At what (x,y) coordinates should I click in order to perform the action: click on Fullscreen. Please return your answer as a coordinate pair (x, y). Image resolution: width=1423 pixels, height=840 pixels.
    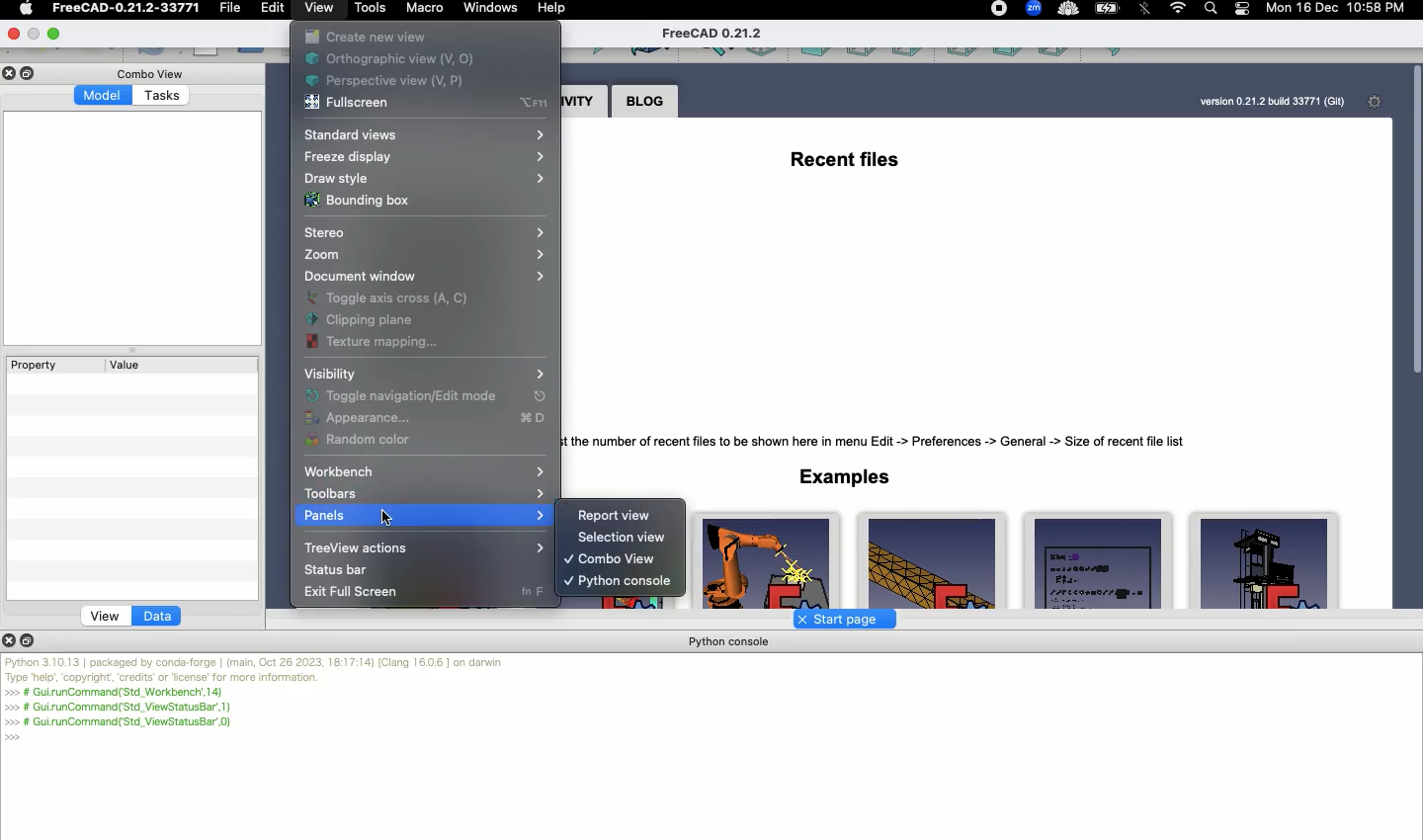
    Looking at the image, I should click on (431, 105).